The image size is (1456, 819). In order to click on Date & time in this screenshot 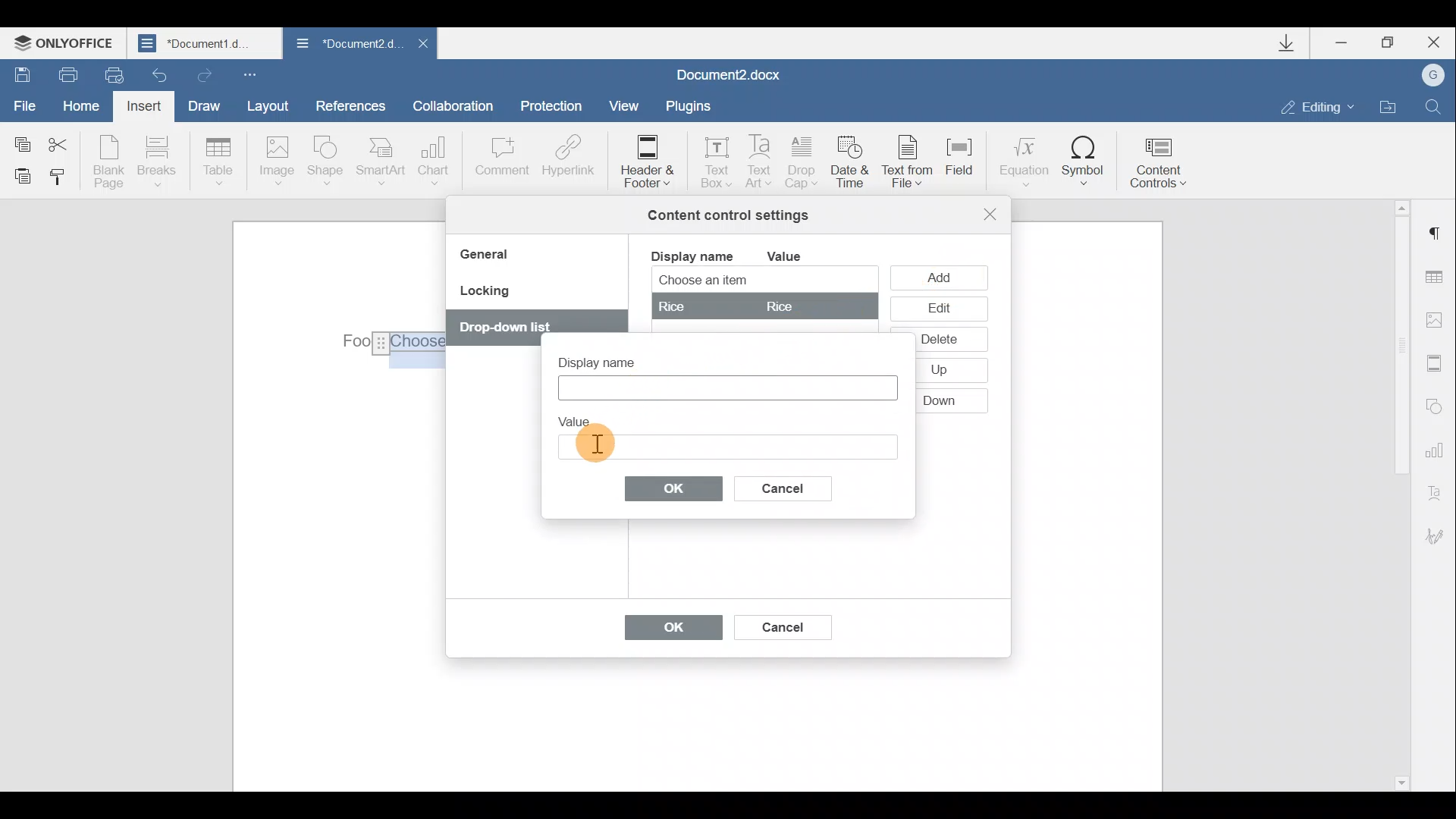, I will do `click(852, 165)`.